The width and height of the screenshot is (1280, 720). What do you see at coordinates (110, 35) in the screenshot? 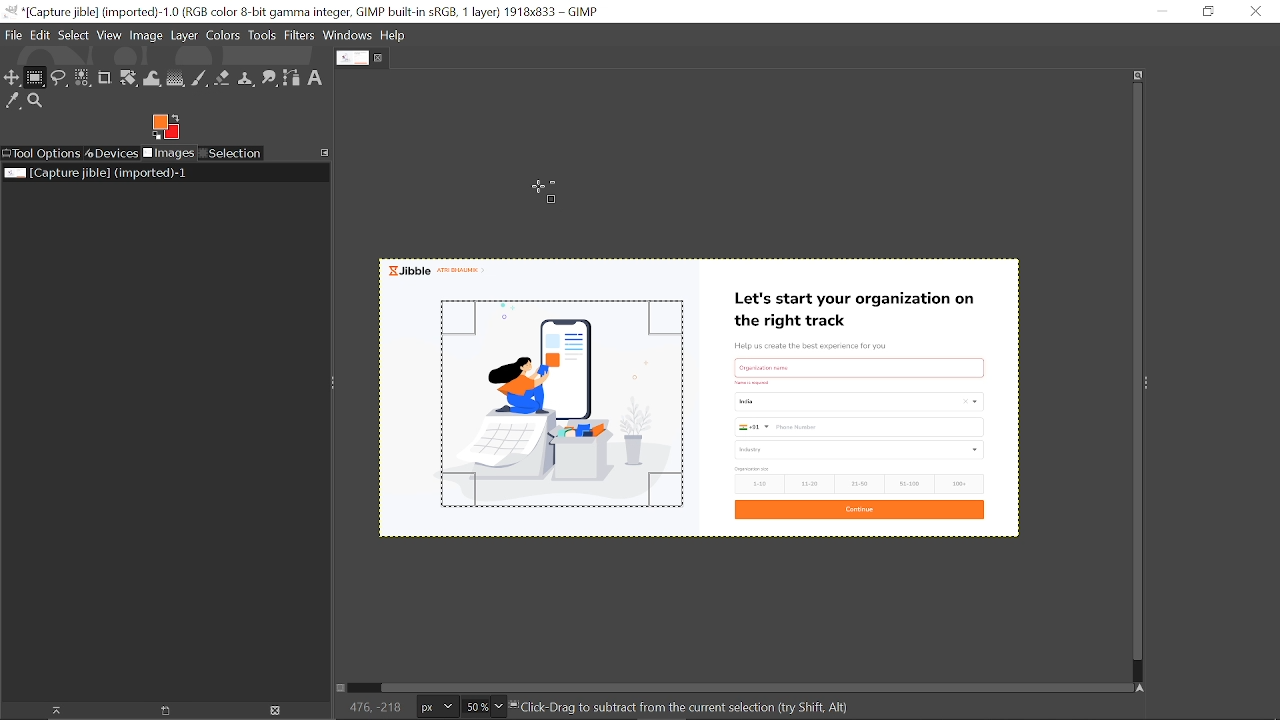
I see `View` at bounding box center [110, 35].